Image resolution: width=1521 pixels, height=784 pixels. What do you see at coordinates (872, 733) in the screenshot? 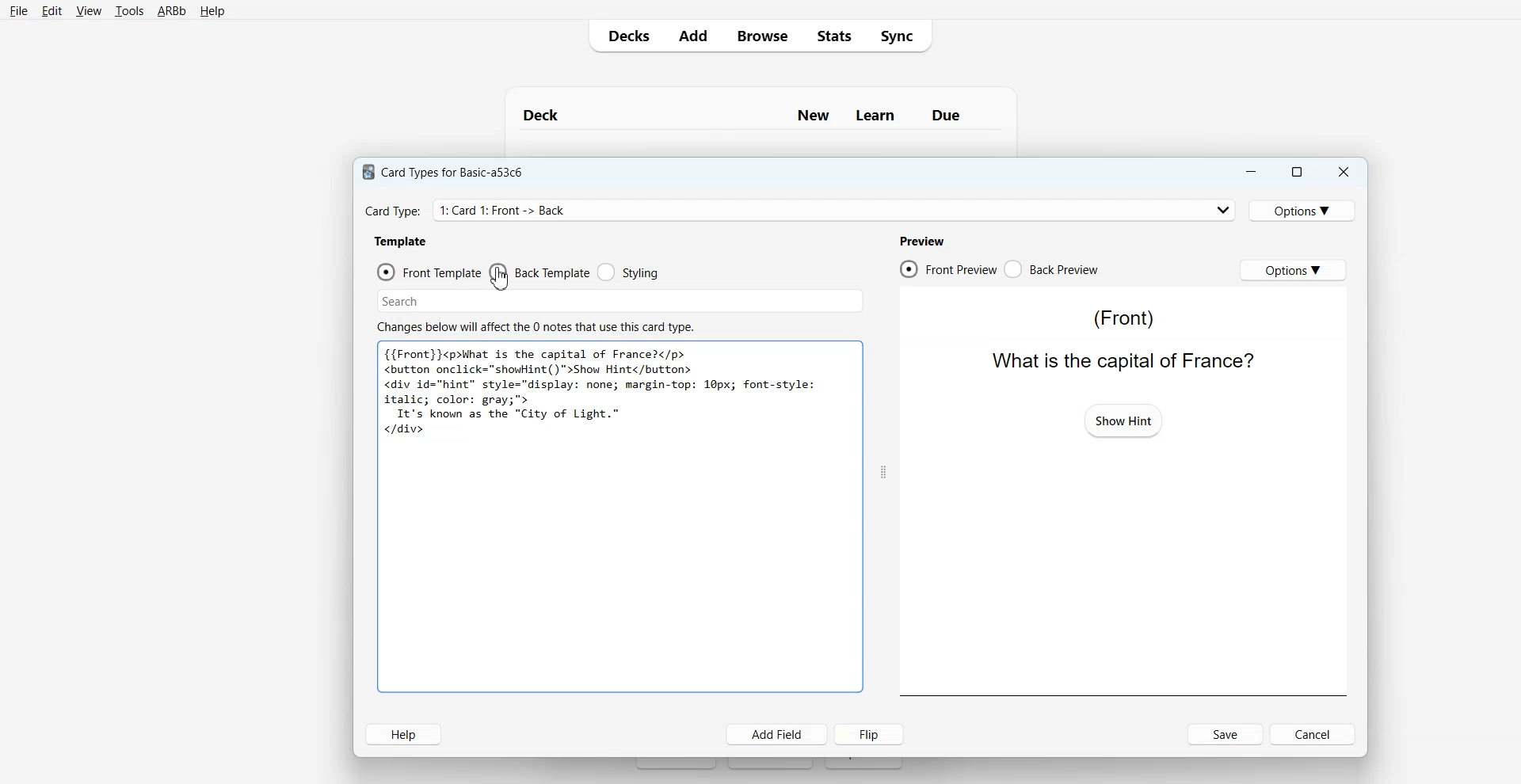
I see `Flip` at bounding box center [872, 733].